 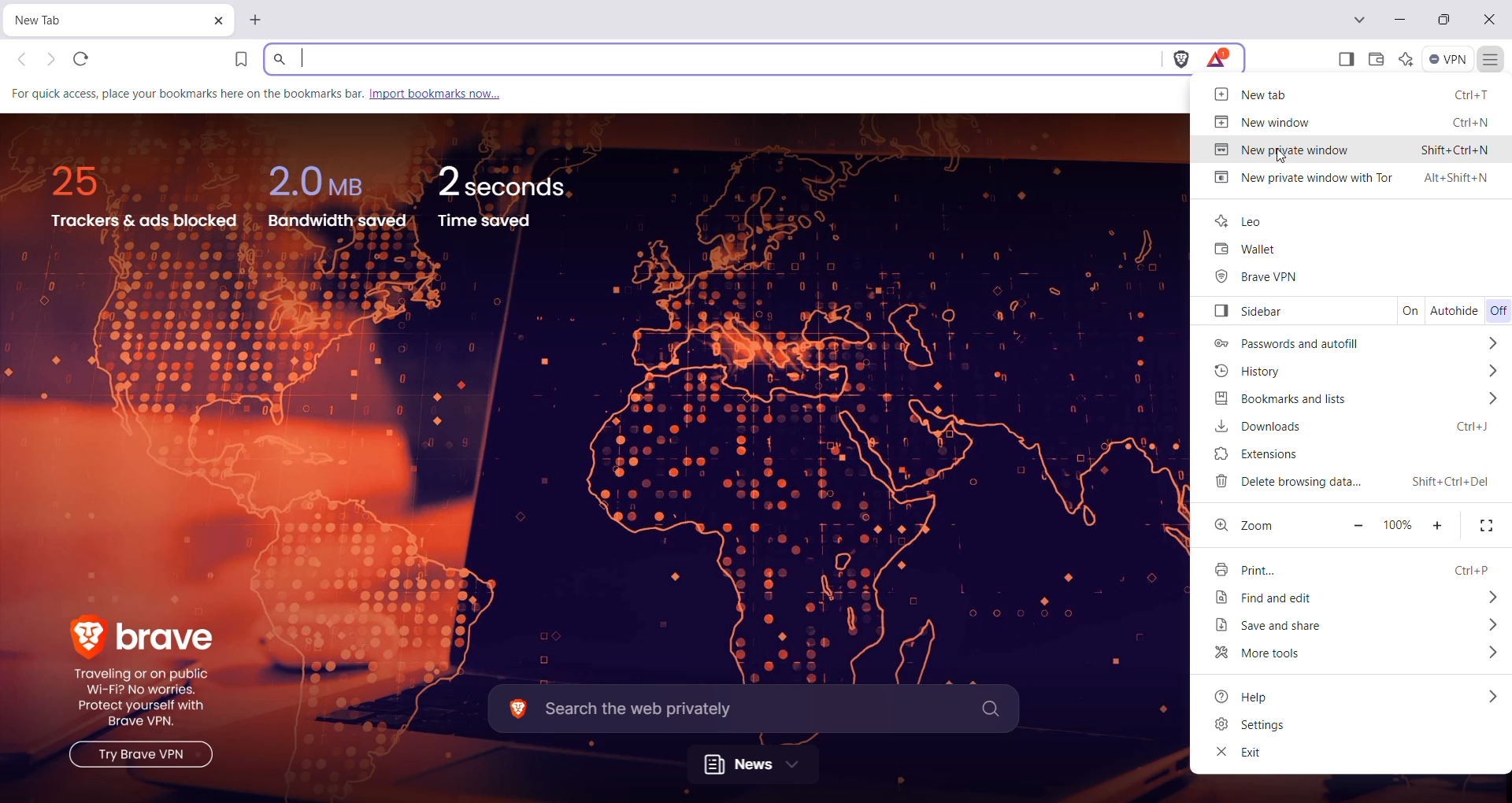 What do you see at coordinates (1348, 569) in the screenshot?
I see `Print` at bounding box center [1348, 569].